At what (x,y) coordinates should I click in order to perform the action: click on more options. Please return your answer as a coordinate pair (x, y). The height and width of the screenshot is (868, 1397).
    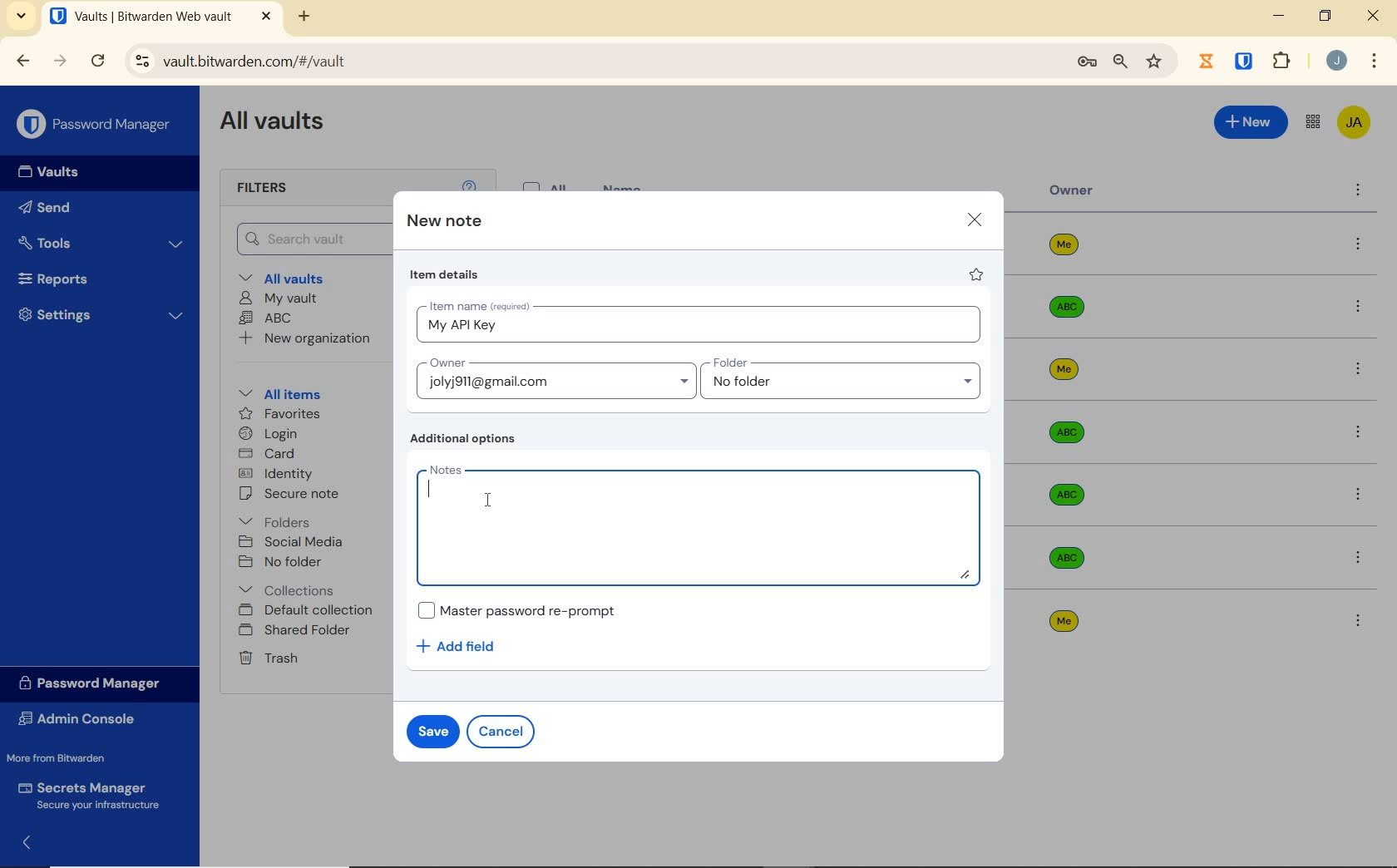
    Looking at the image, I should click on (1360, 495).